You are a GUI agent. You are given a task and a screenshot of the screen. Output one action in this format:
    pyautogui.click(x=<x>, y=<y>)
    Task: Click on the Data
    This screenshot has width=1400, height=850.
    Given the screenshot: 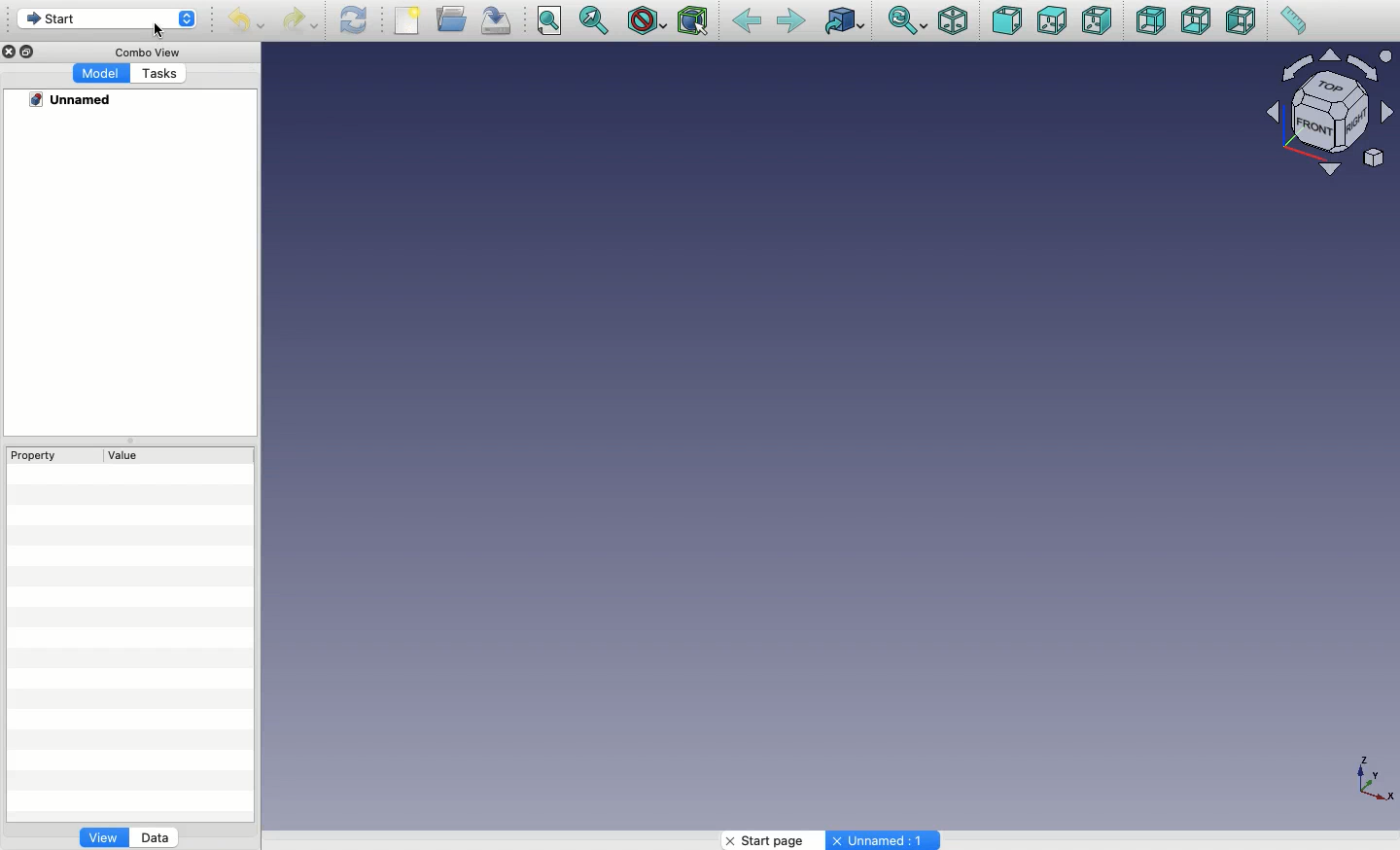 What is the action you would take?
    pyautogui.click(x=157, y=836)
    